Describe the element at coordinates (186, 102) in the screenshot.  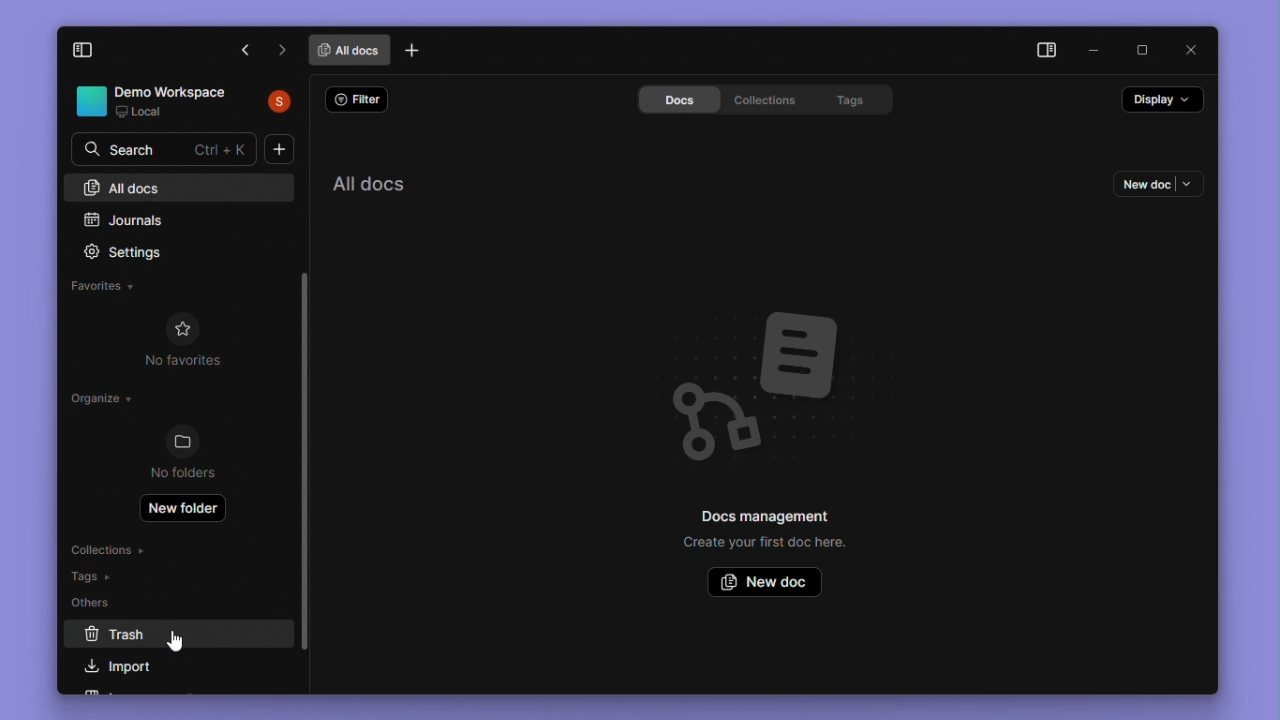
I see `Demo Workplace` at that location.